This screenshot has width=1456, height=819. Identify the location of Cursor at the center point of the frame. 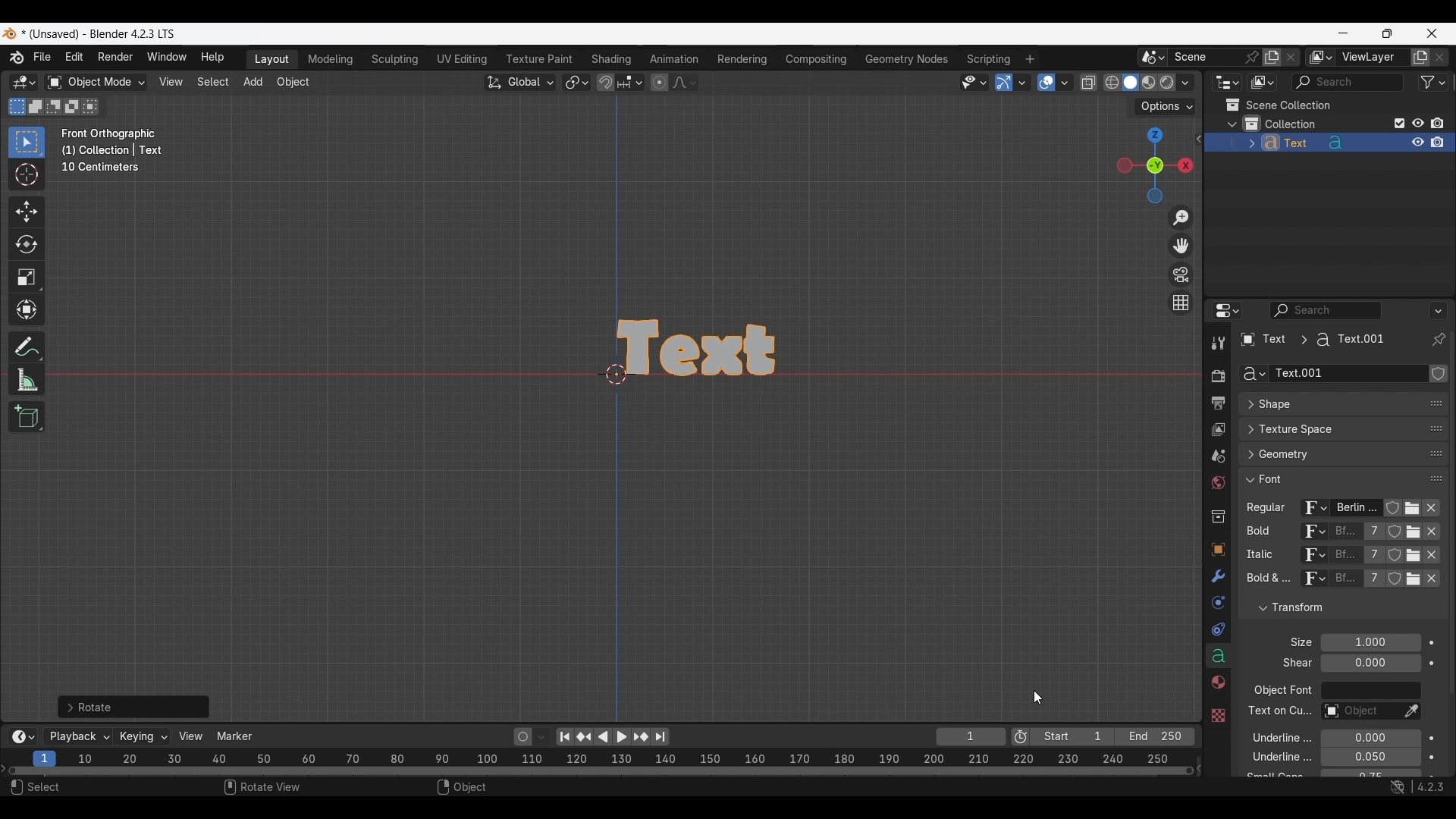
(617, 373).